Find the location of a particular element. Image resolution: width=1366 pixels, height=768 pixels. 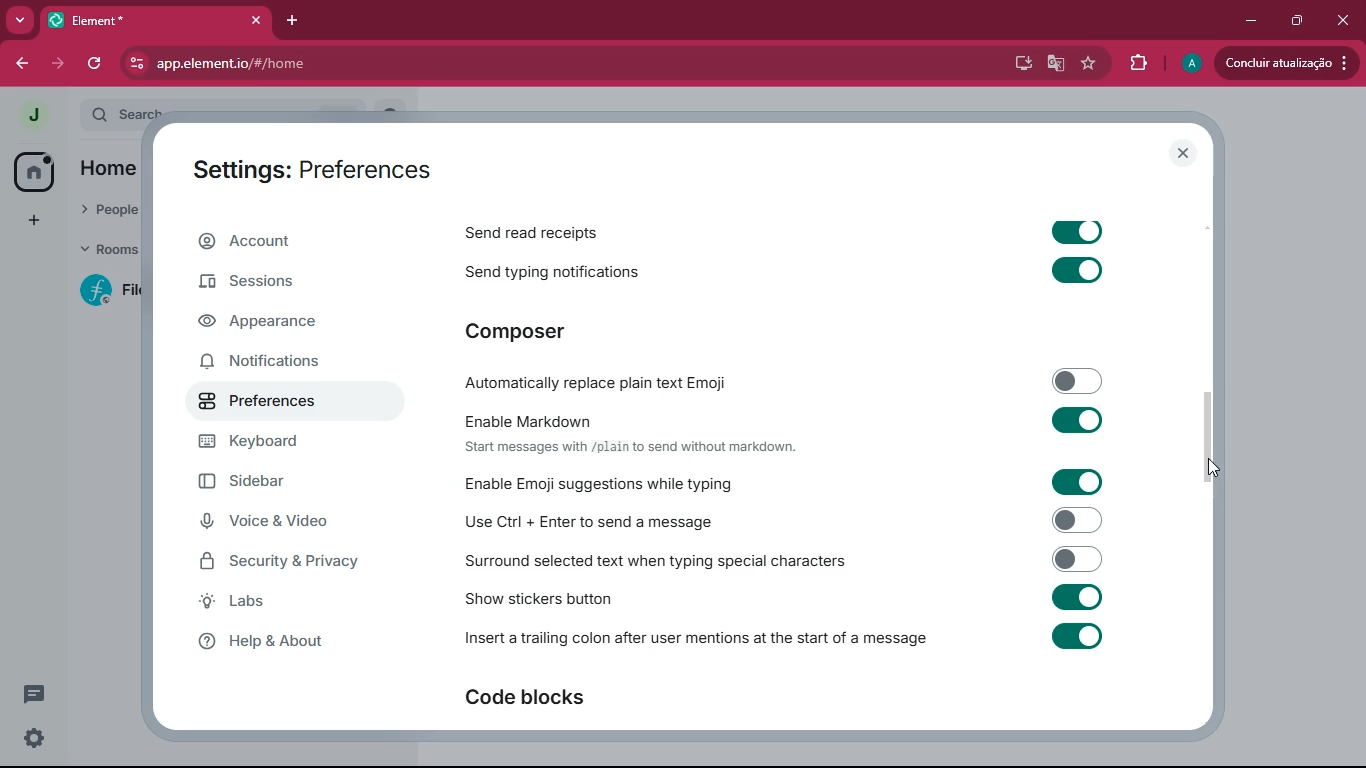

code blocks is located at coordinates (534, 697).